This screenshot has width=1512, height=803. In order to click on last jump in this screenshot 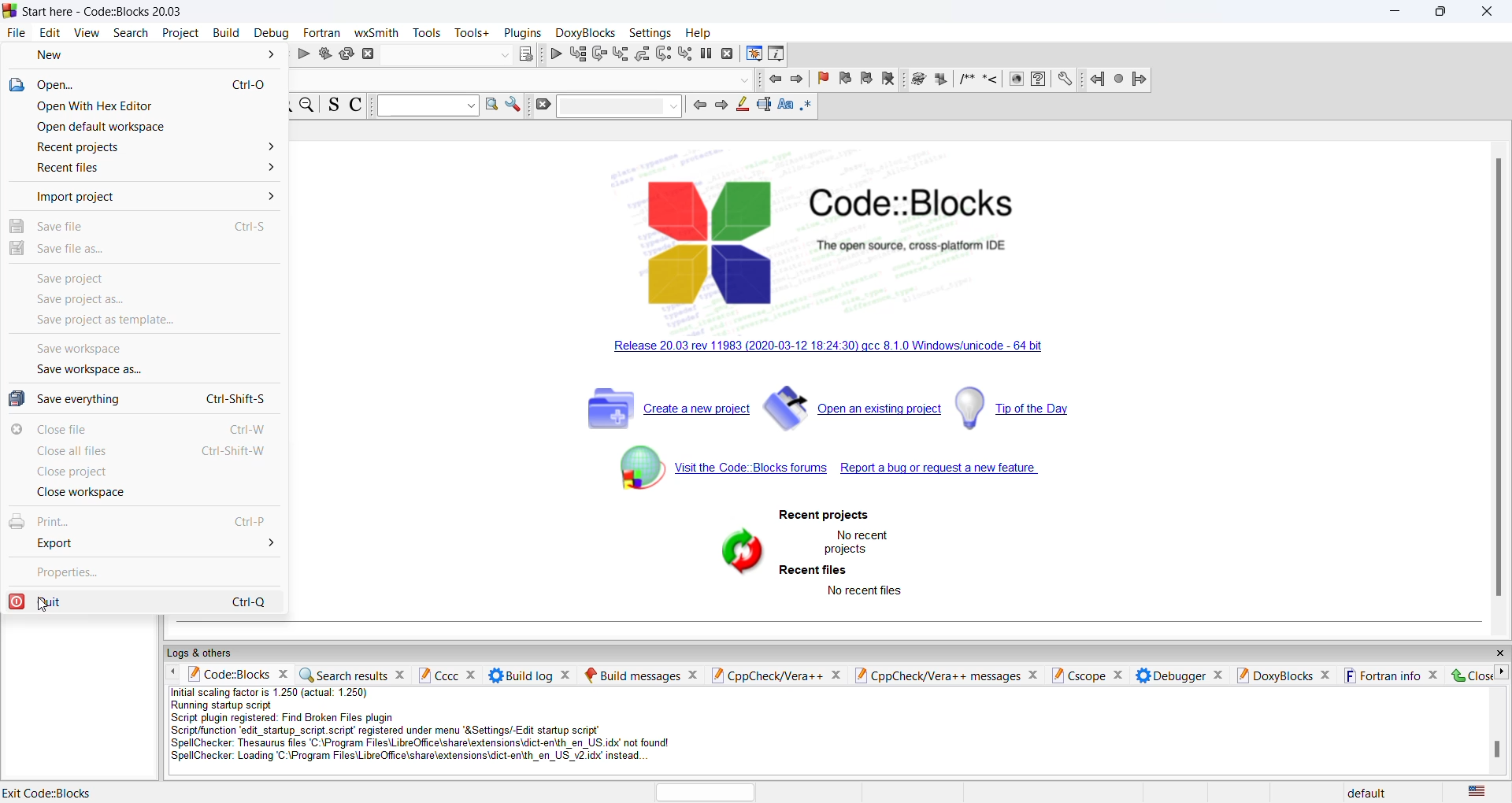, I will do `click(1117, 80)`.